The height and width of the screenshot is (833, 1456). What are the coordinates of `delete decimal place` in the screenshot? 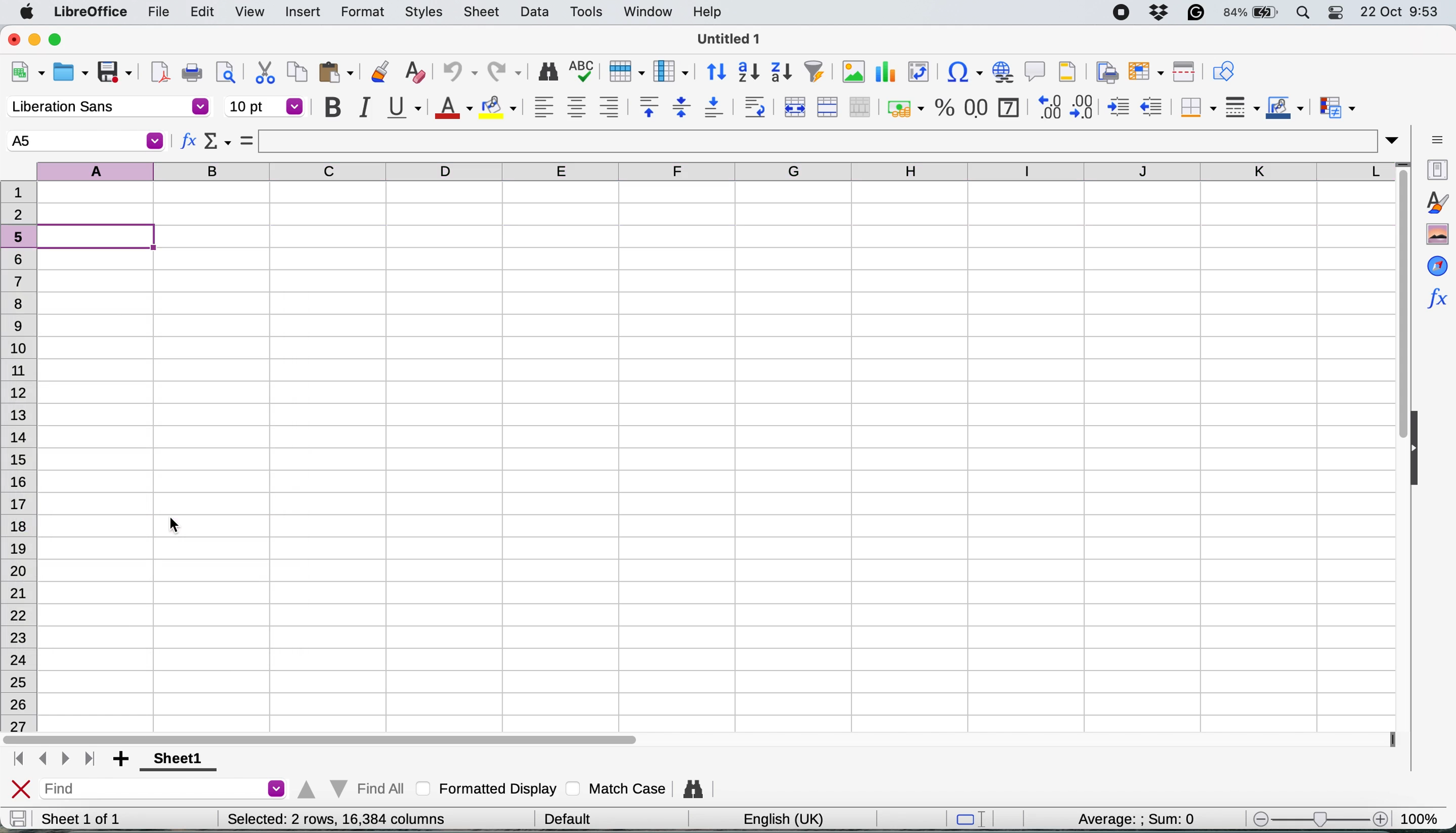 It's located at (1085, 106).